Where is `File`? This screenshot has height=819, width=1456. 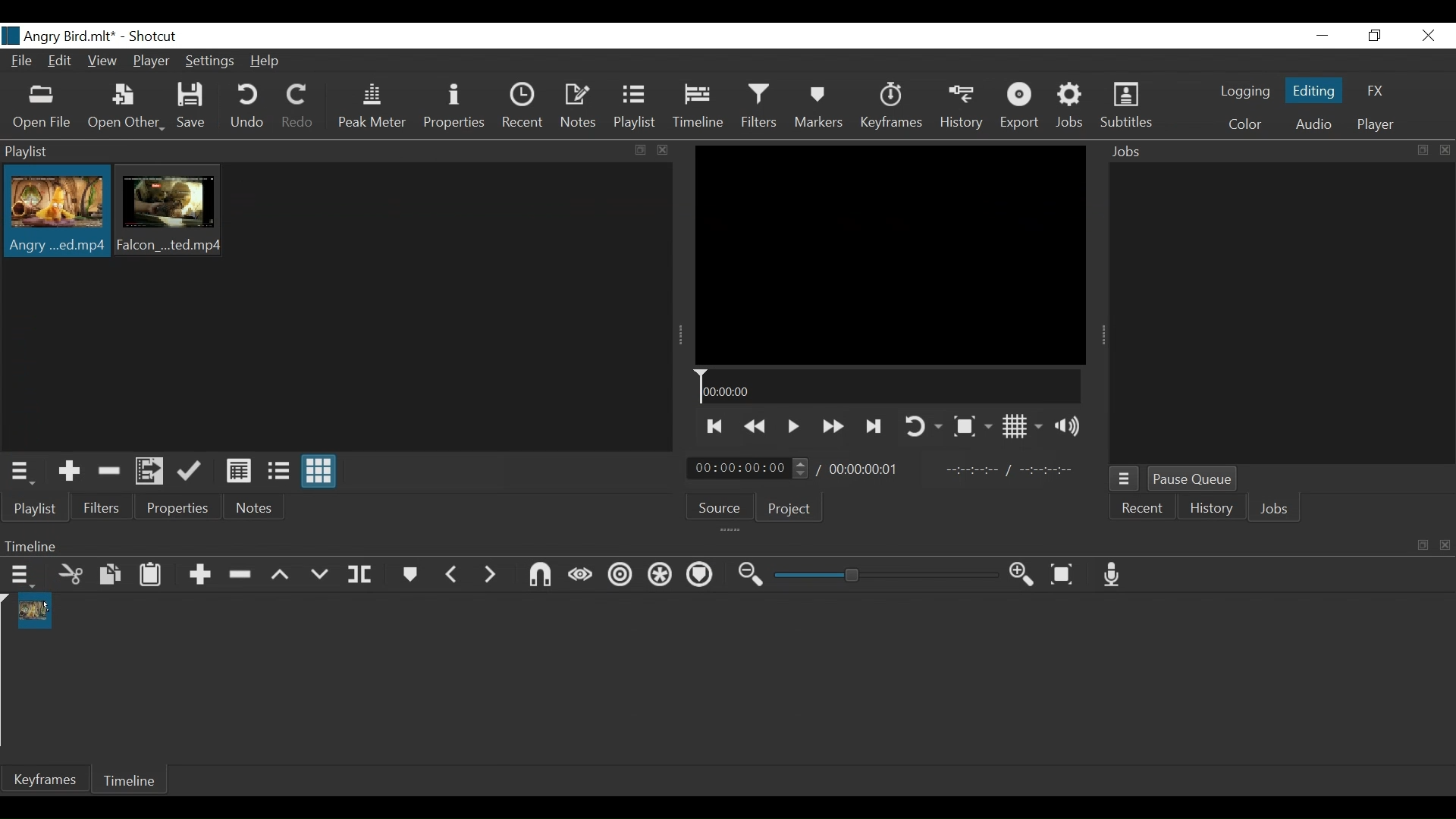
File is located at coordinates (24, 61).